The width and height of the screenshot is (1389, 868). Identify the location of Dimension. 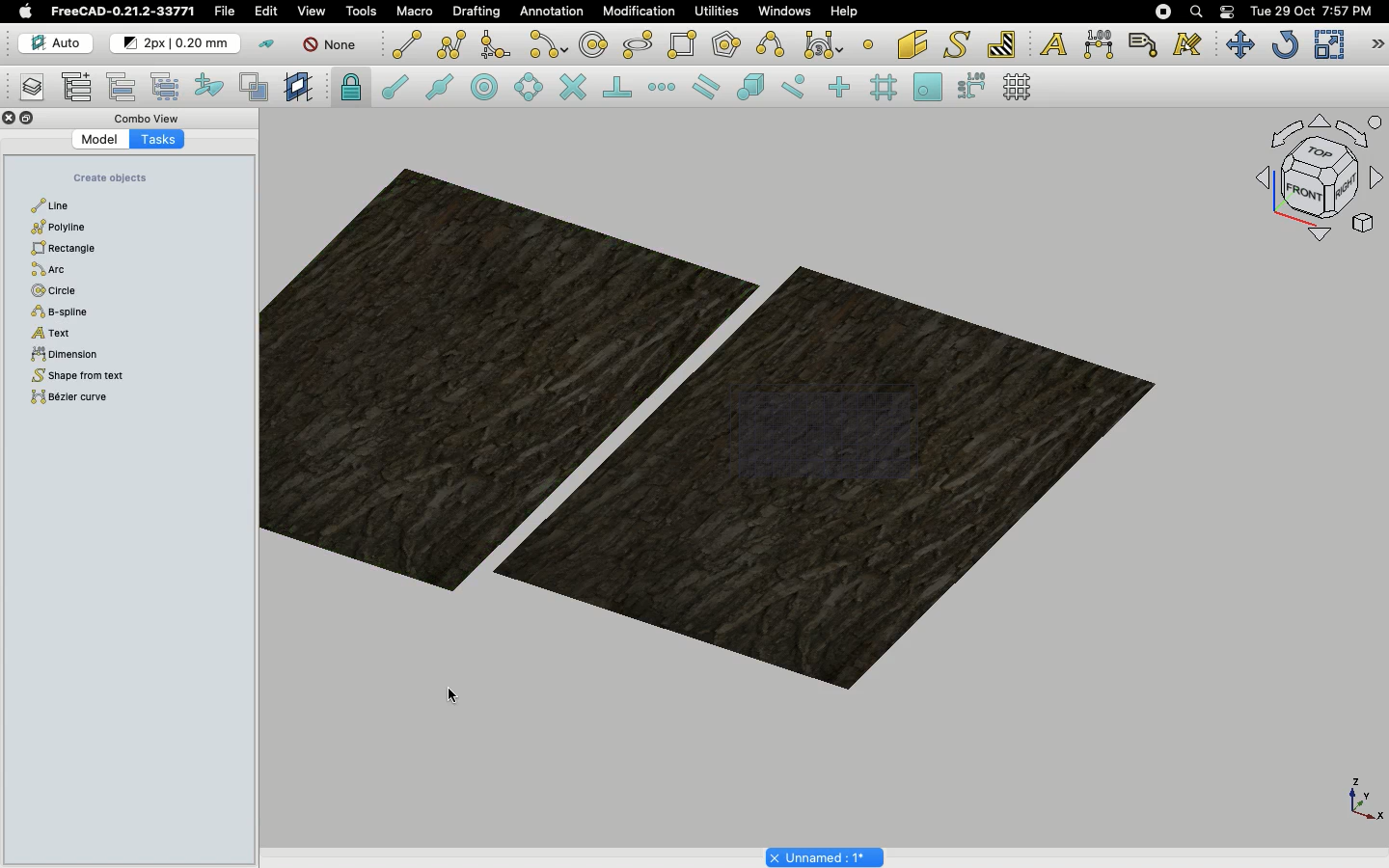
(1101, 44).